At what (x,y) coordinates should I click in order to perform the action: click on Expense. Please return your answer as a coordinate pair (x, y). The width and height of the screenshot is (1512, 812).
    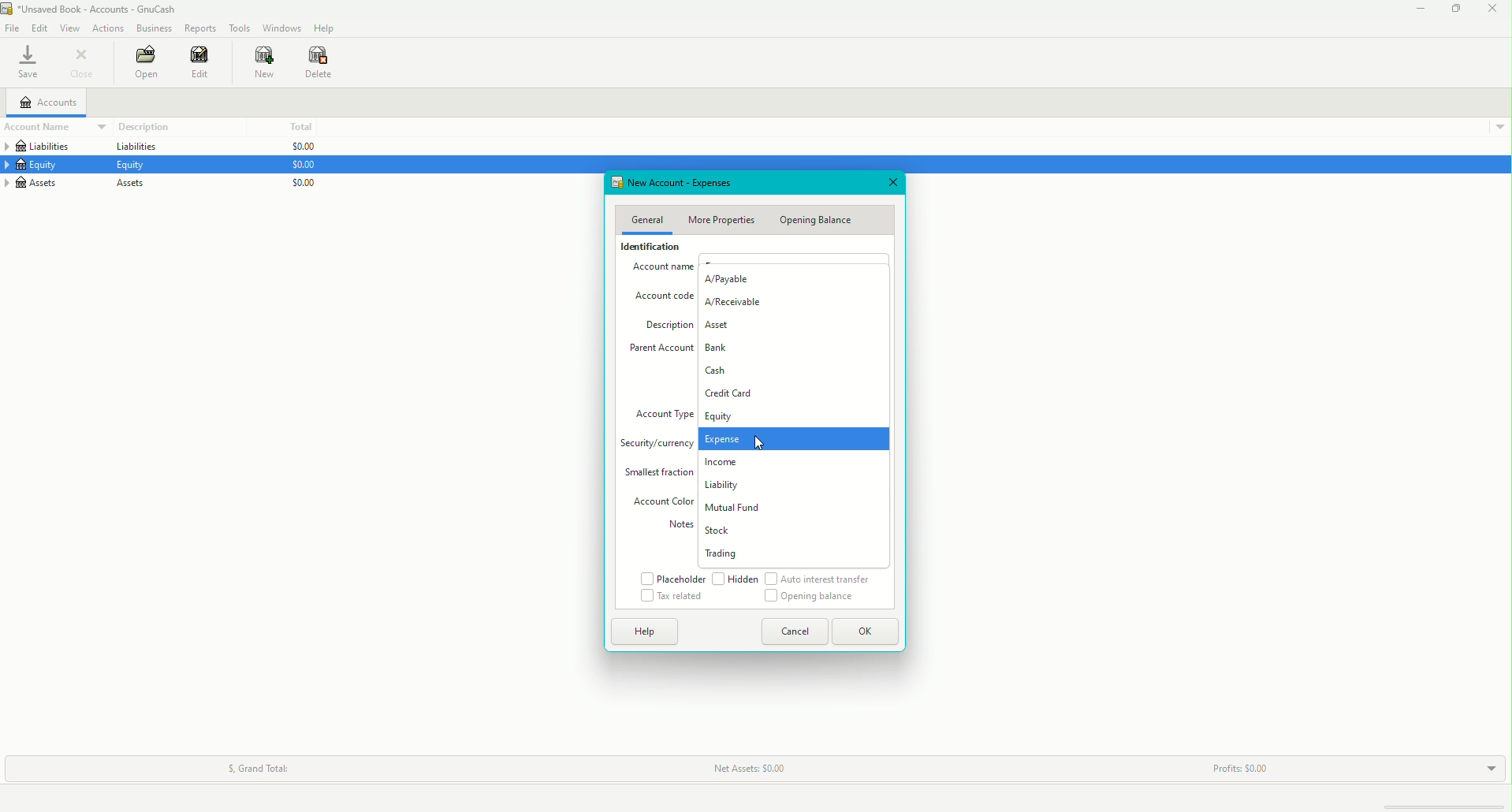
    Looking at the image, I should click on (746, 440).